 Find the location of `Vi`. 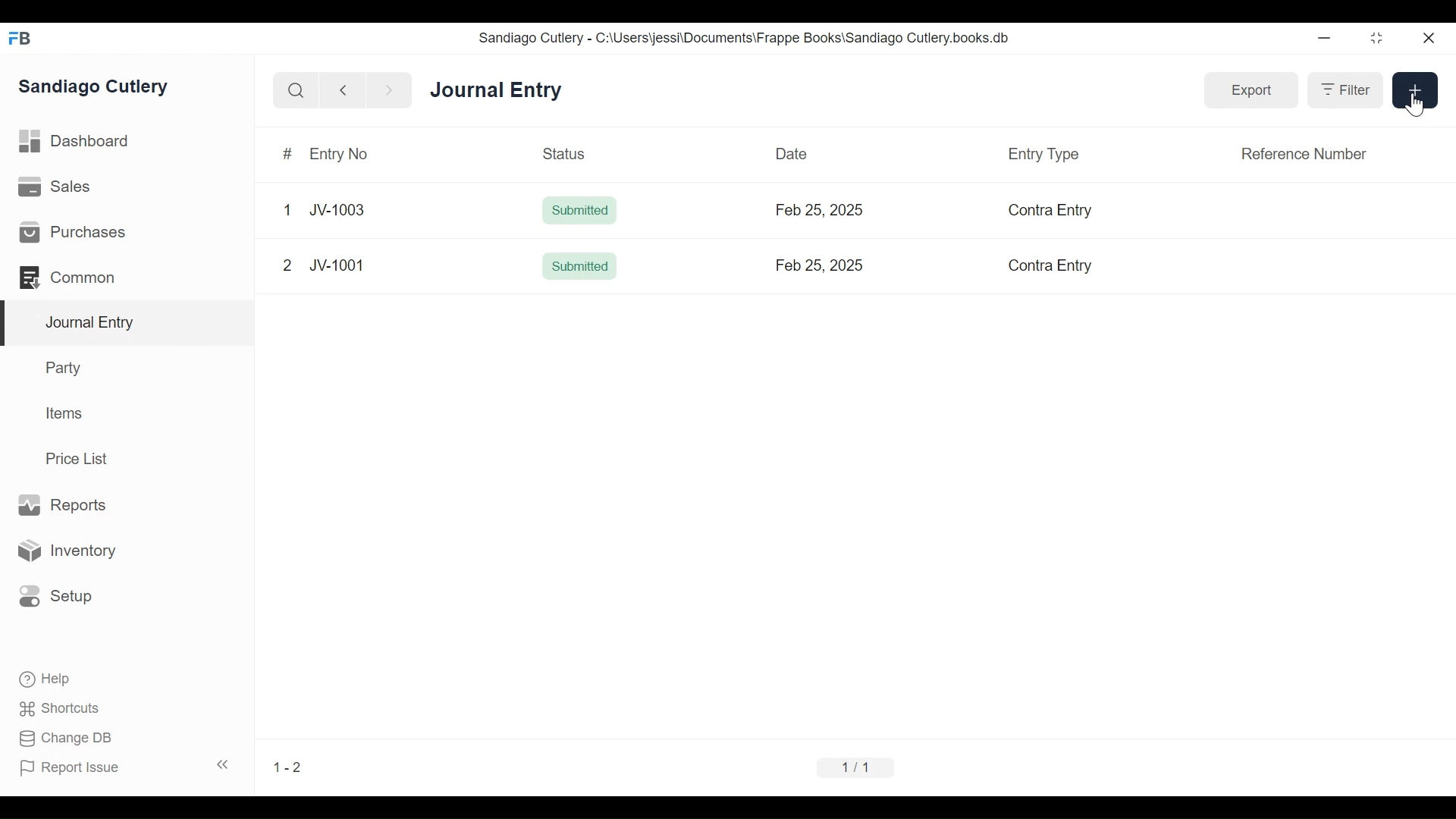

Vi is located at coordinates (287, 265).